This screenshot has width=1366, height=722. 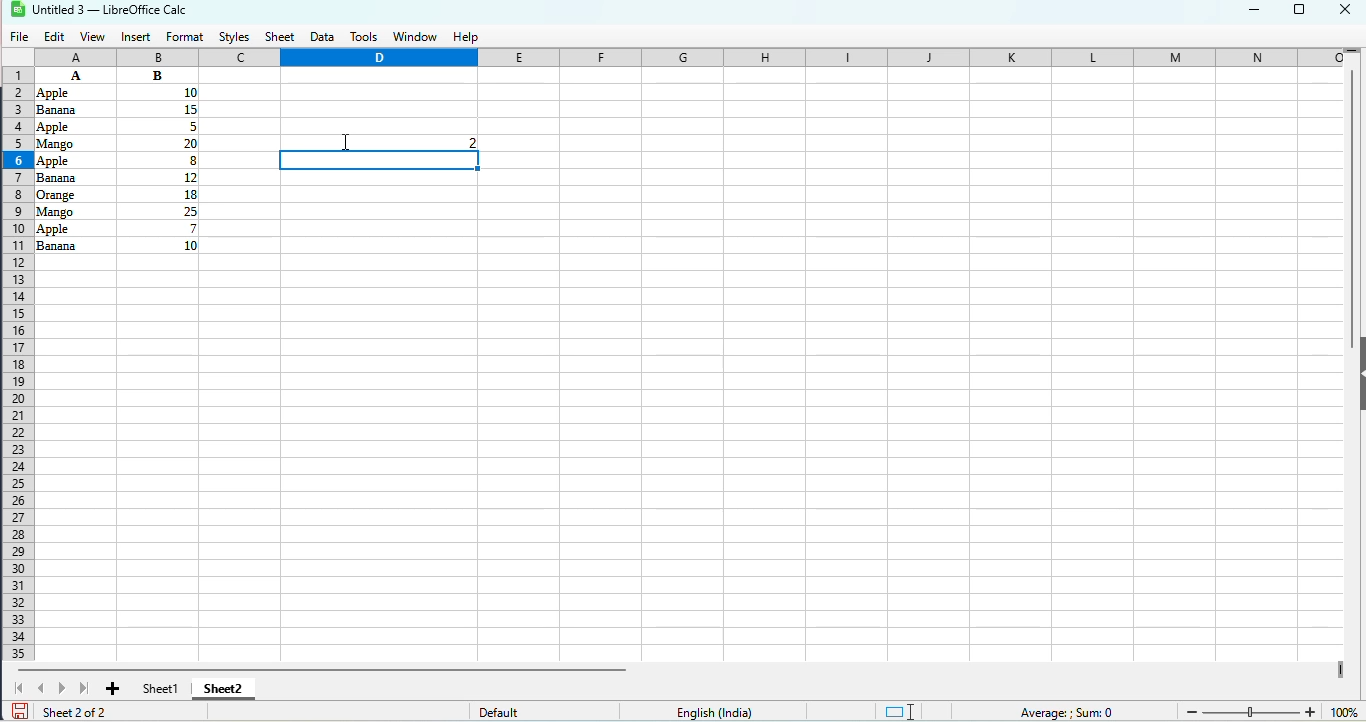 What do you see at coordinates (466, 38) in the screenshot?
I see `help` at bounding box center [466, 38].